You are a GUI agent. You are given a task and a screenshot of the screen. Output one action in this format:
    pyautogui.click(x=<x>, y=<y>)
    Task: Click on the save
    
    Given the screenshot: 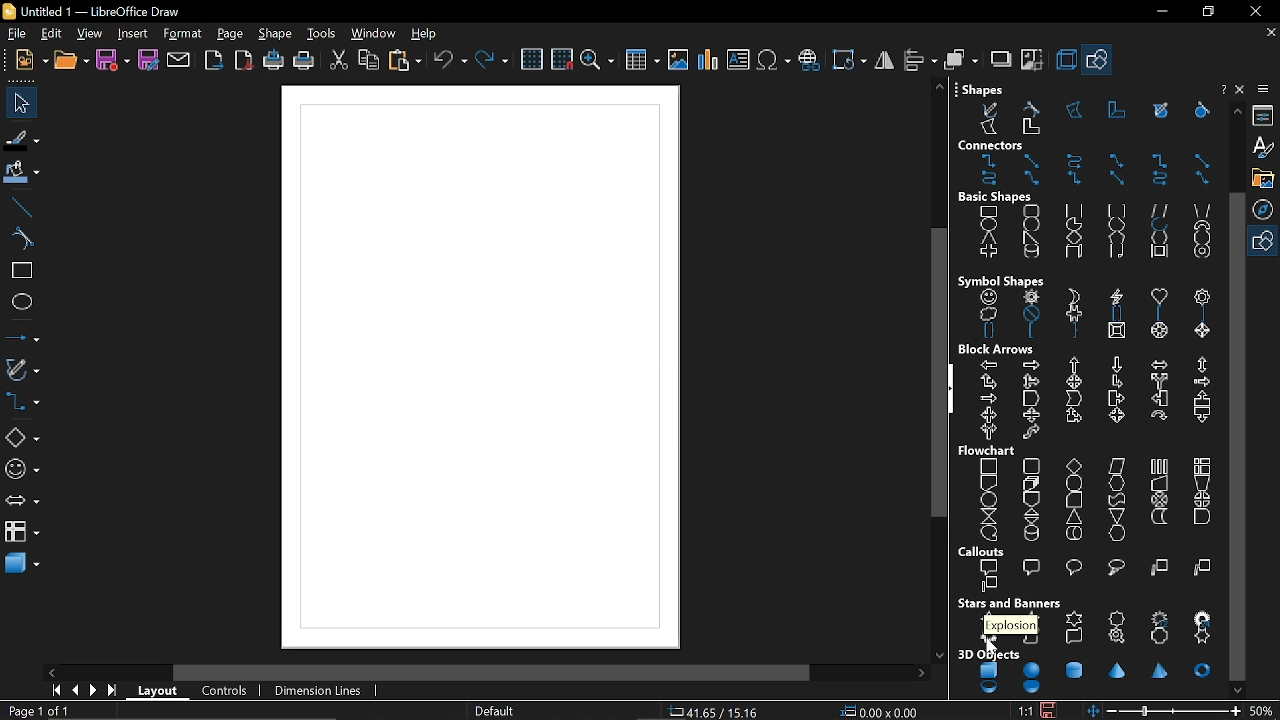 What is the action you would take?
    pyautogui.click(x=1053, y=708)
    